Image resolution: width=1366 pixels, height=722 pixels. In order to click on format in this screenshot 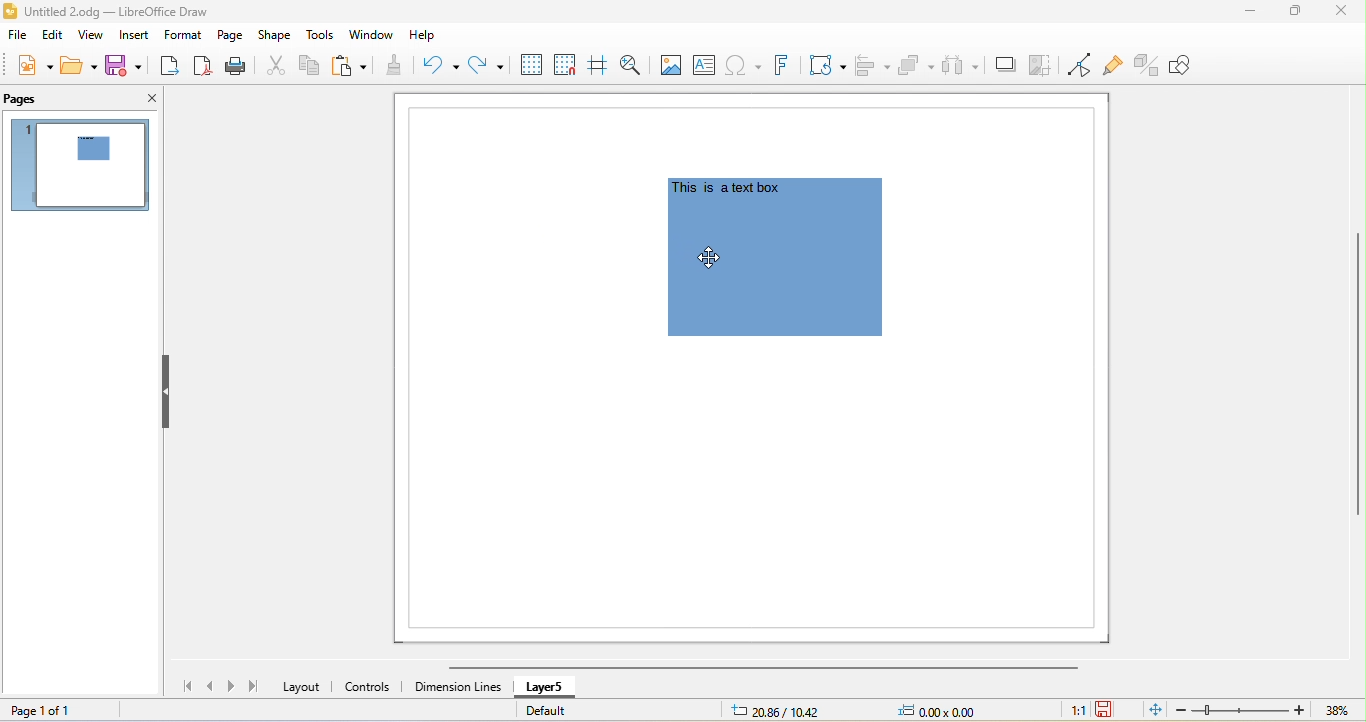, I will do `click(181, 37)`.